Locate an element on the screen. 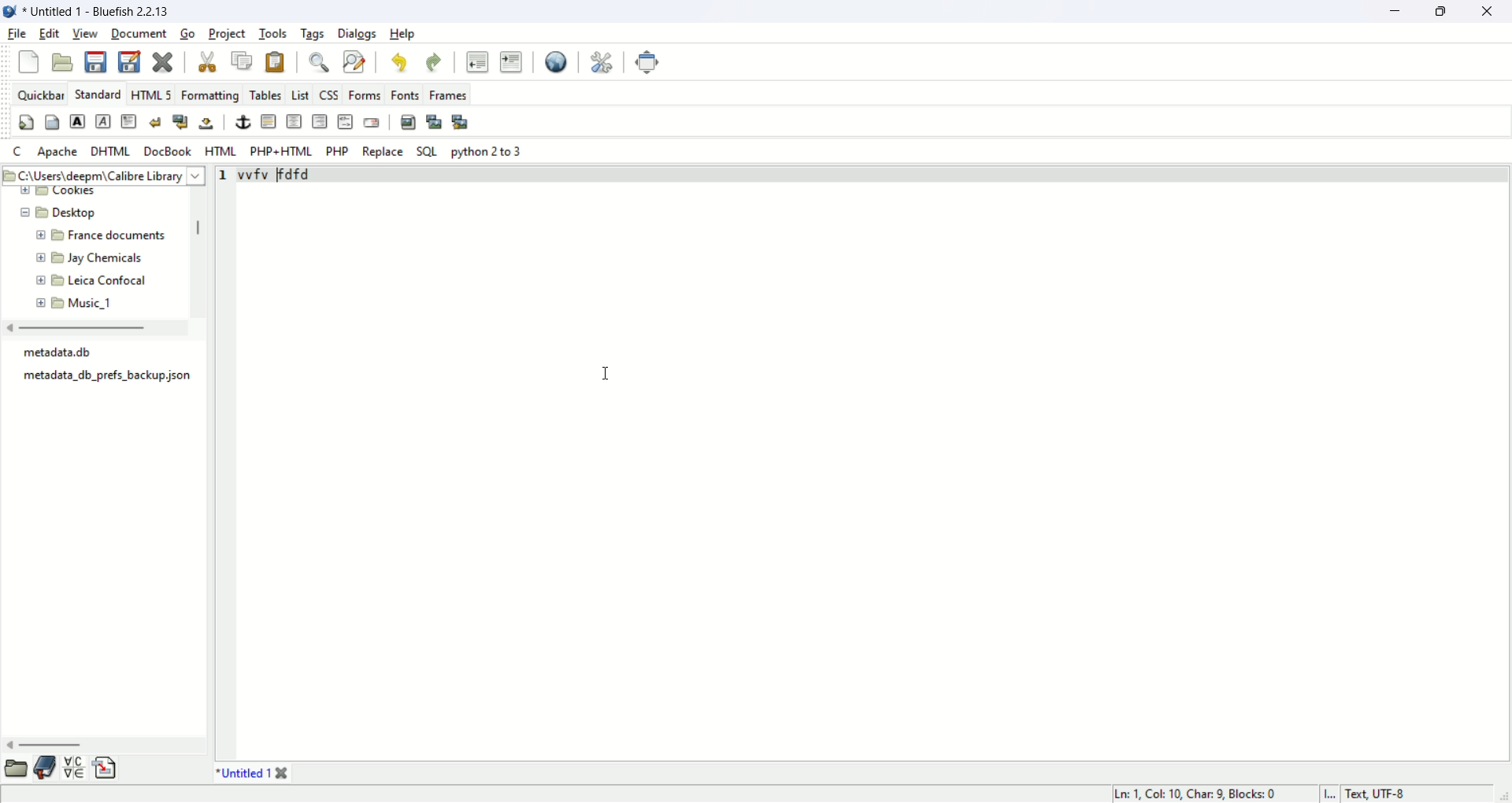 This screenshot has height=803, width=1512. char map is located at coordinates (76, 769).